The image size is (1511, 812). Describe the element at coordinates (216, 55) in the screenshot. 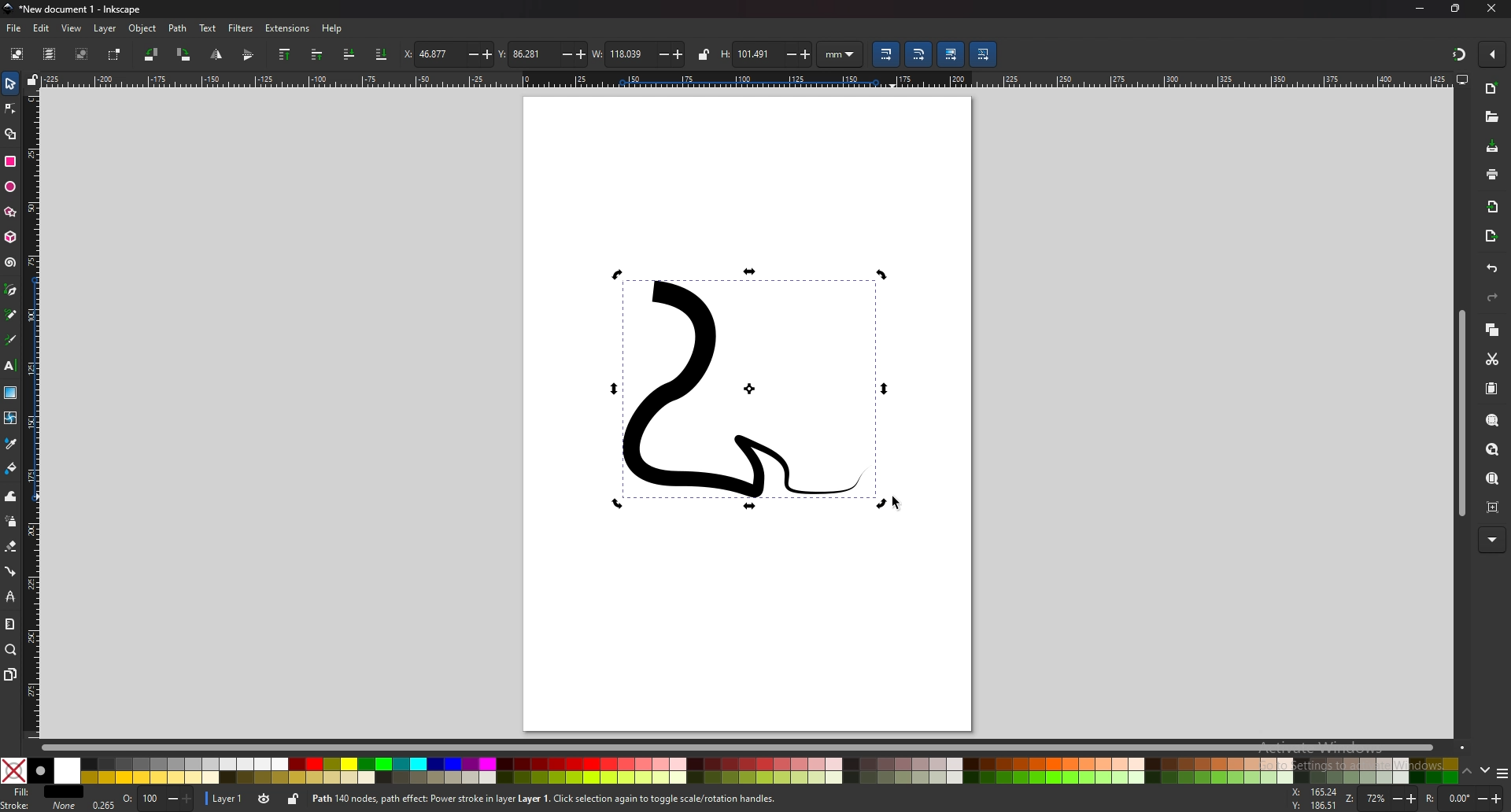

I see `flip vertically` at that location.